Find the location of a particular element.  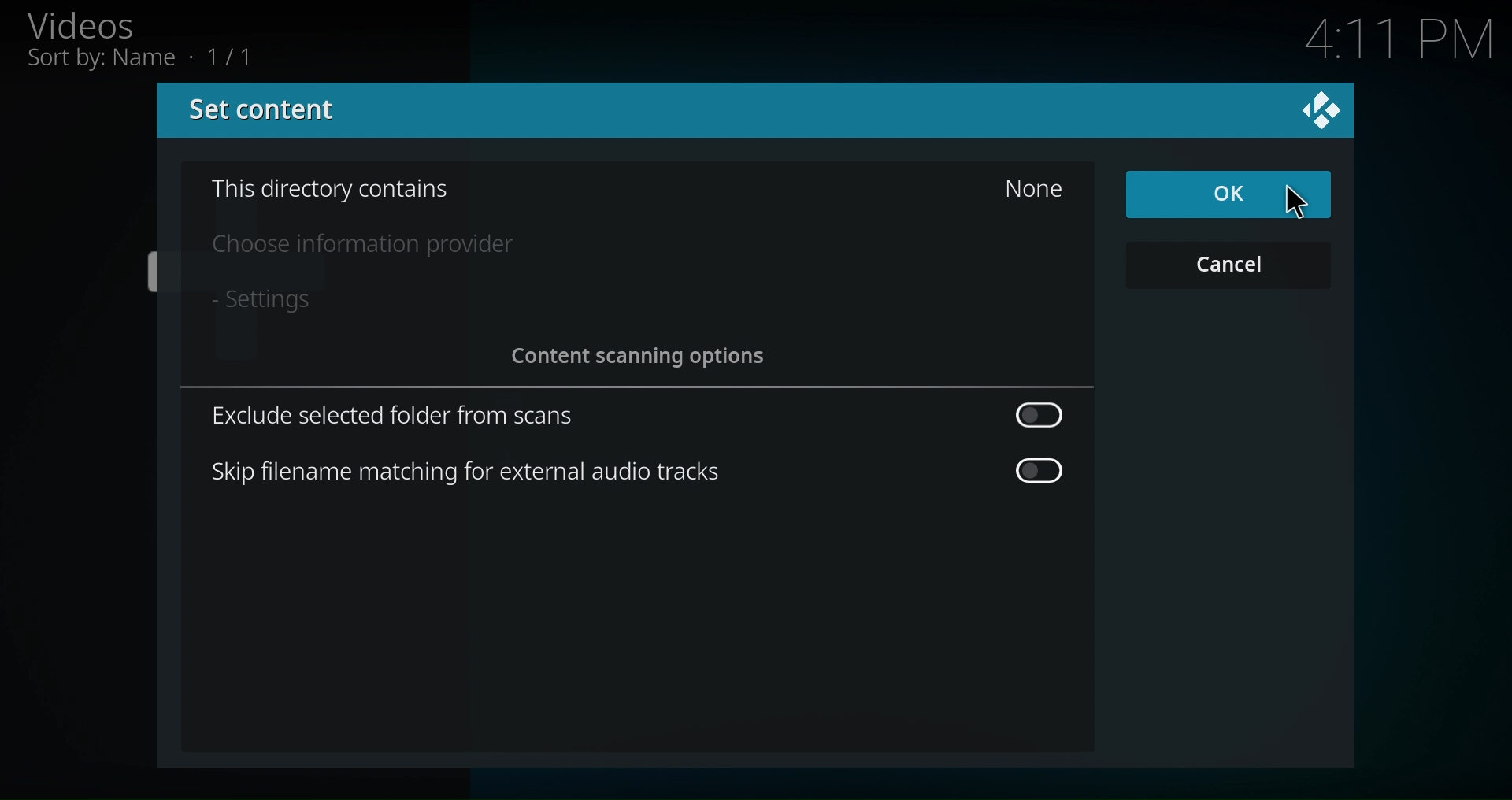

None is located at coordinates (1036, 189).